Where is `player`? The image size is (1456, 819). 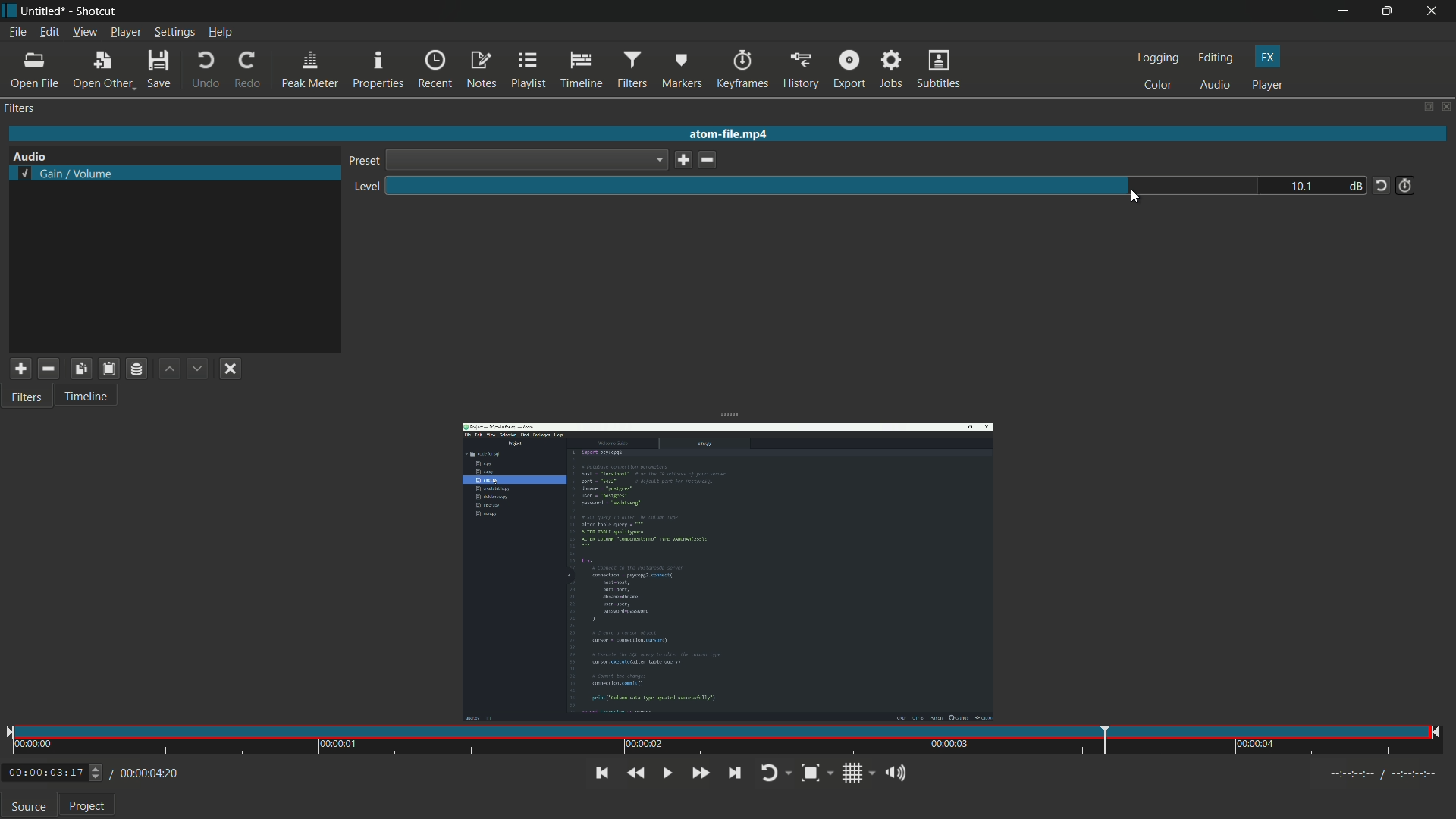
player is located at coordinates (1267, 85).